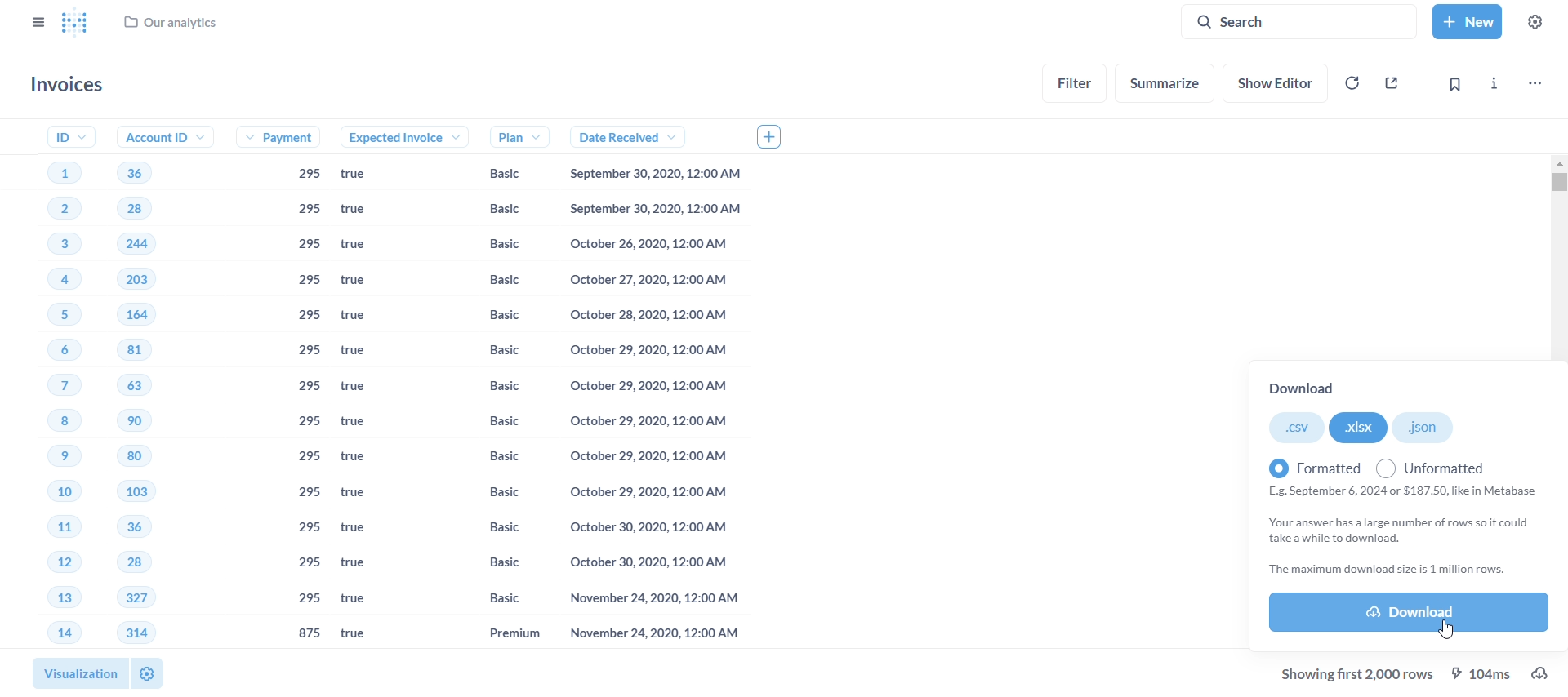 Image resolution: width=1568 pixels, height=697 pixels. Describe the element at coordinates (1360, 673) in the screenshot. I see `showing first 2,000 rows ` at that location.